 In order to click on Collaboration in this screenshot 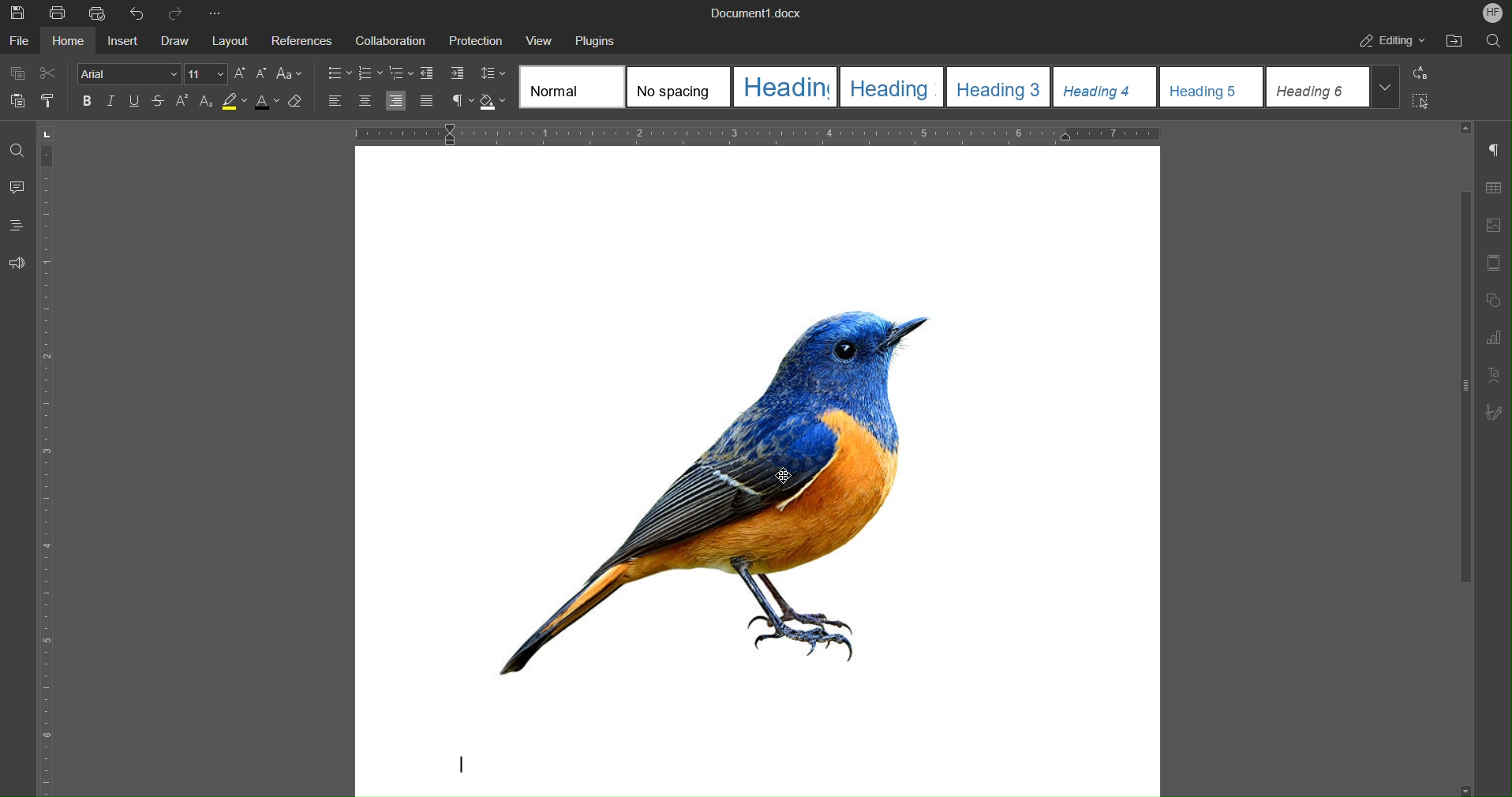, I will do `click(387, 38)`.